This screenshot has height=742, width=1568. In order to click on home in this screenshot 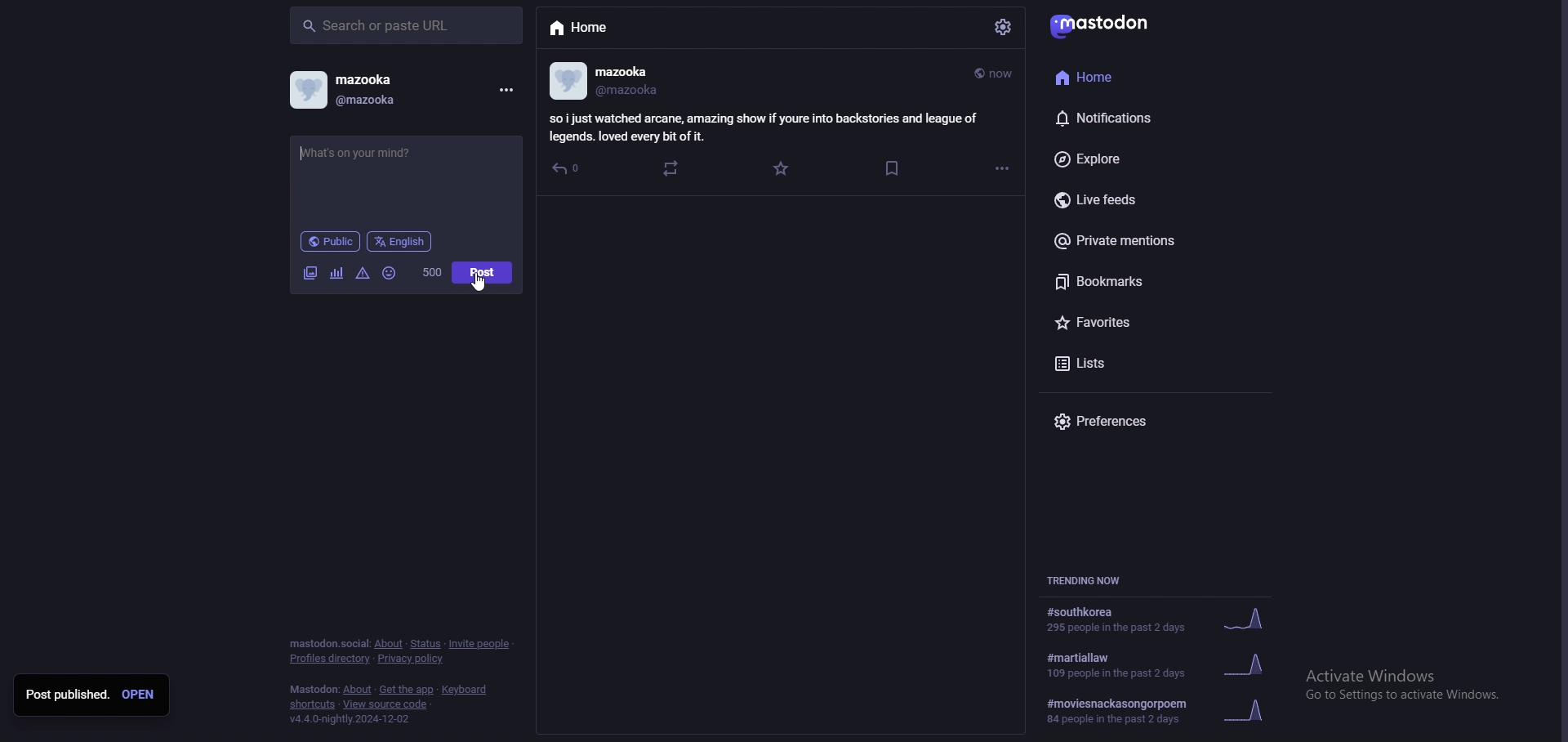, I will do `click(1116, 77)`.